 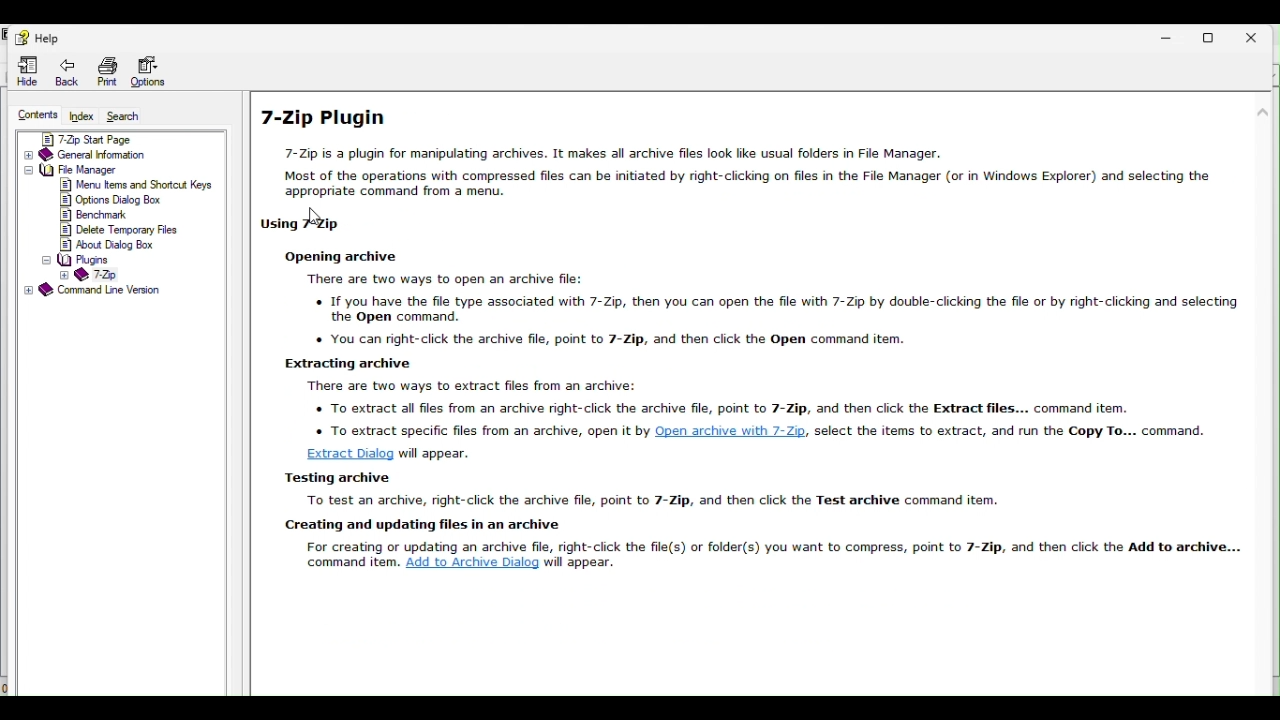 What do you see at coordinates (33, 35) in the screenshot?
I see `Help` at bounding box center [33, 35].